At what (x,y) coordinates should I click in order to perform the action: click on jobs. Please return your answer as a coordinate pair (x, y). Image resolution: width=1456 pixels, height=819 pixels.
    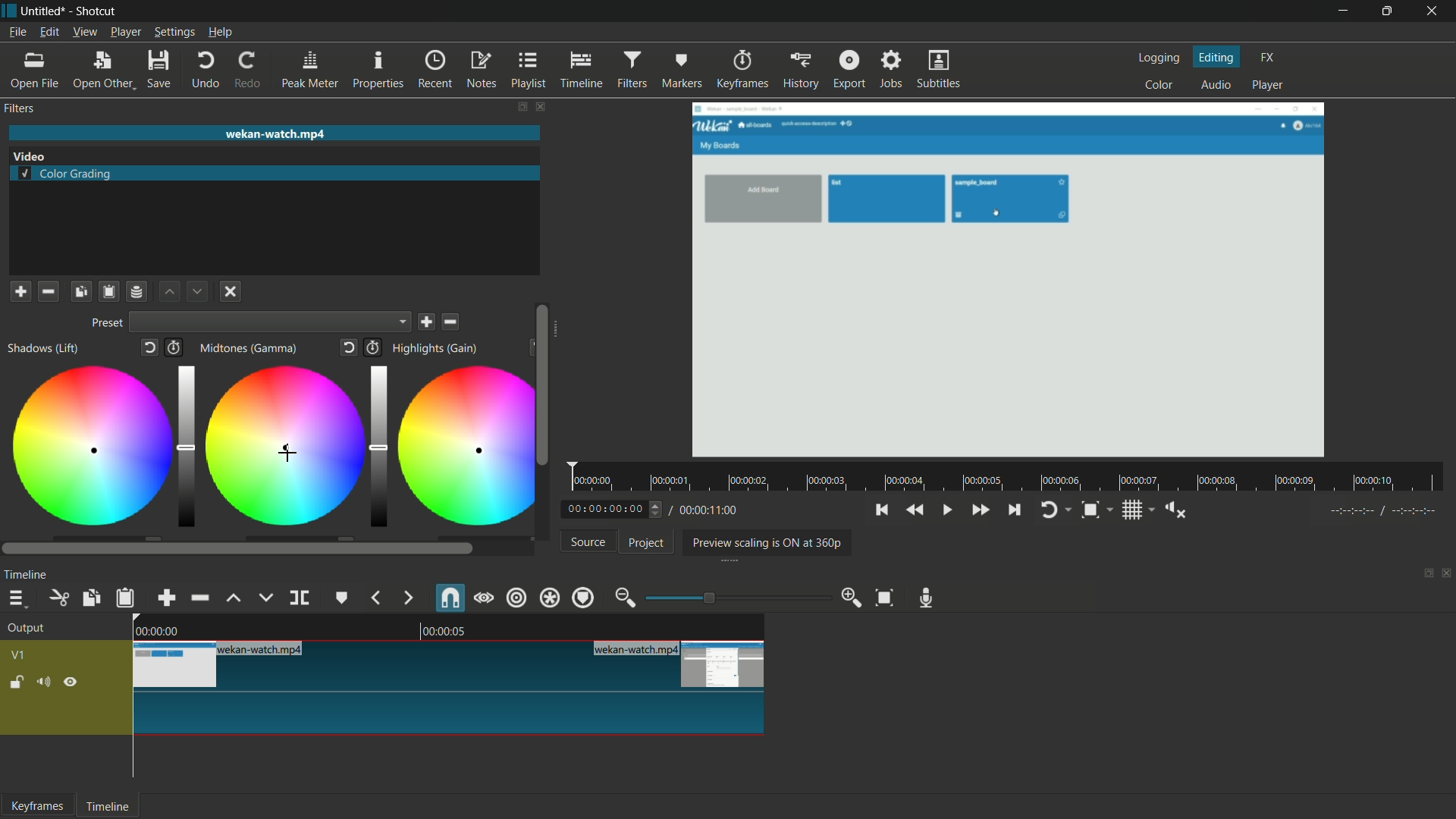
    Looking at the image, I should click on (893, 70).